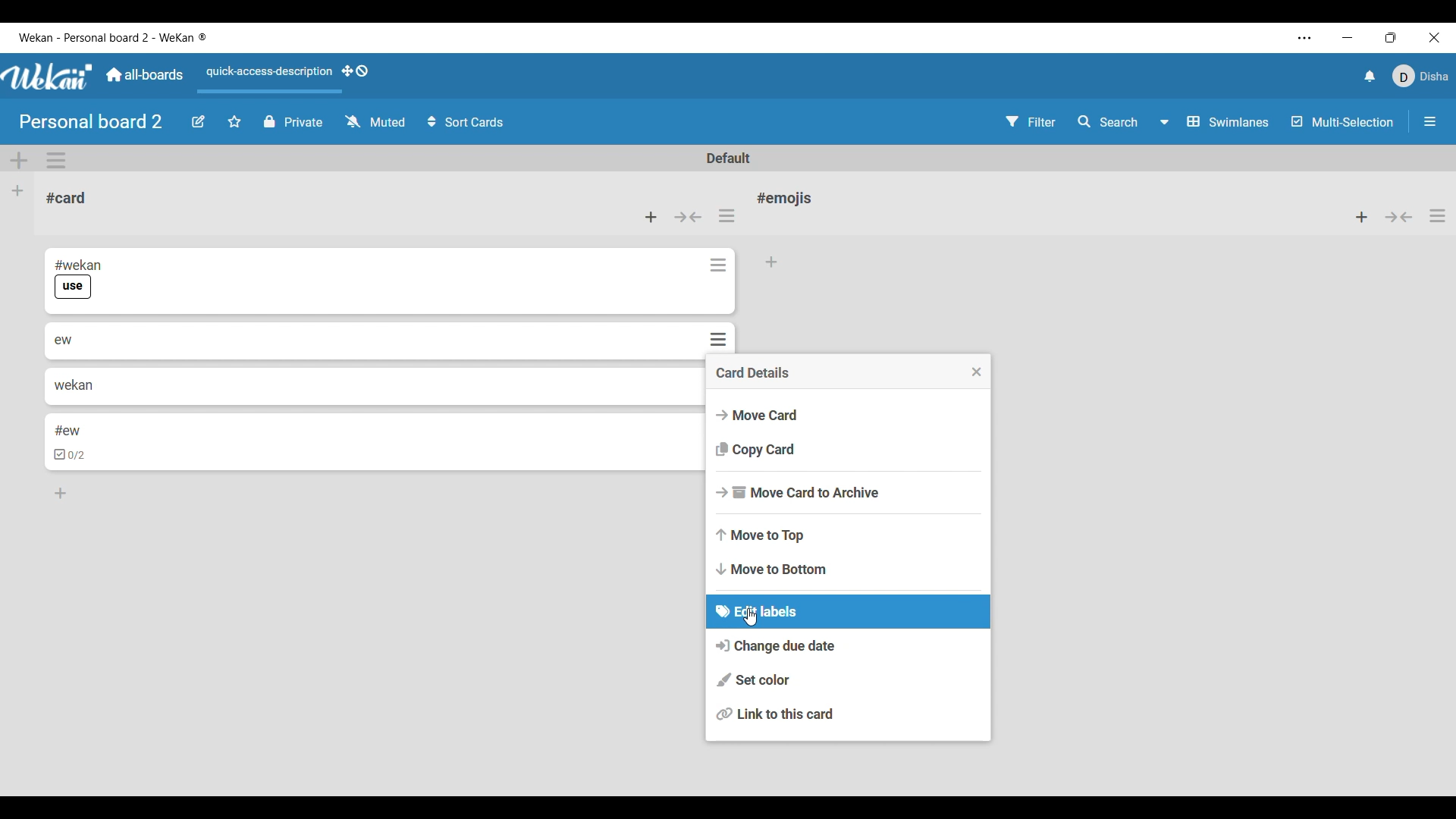 Image resolution: width=1456 pixels, height=819 pixels. What do you see at coordinates (849, 415) in the screenshot?
I see `Move card` at bounding box center [849, 415].